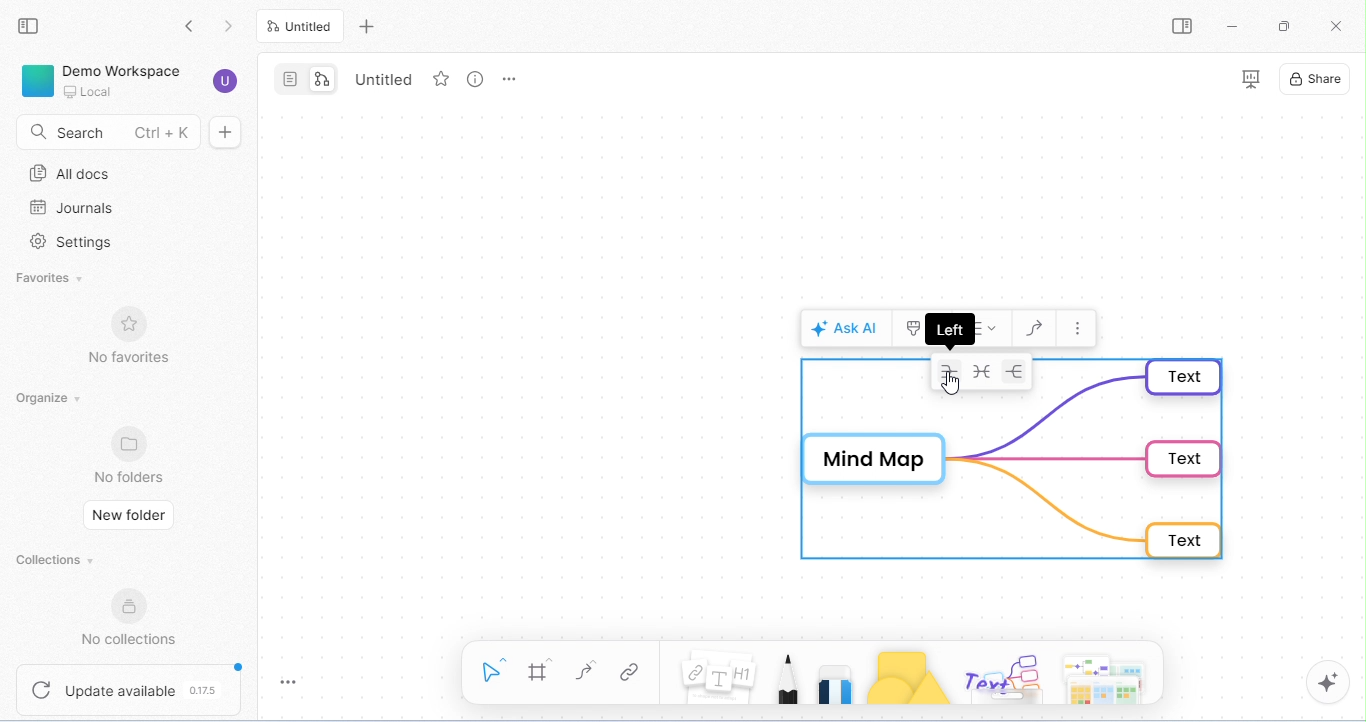  I want to click on add new tab, so click(368, 25).